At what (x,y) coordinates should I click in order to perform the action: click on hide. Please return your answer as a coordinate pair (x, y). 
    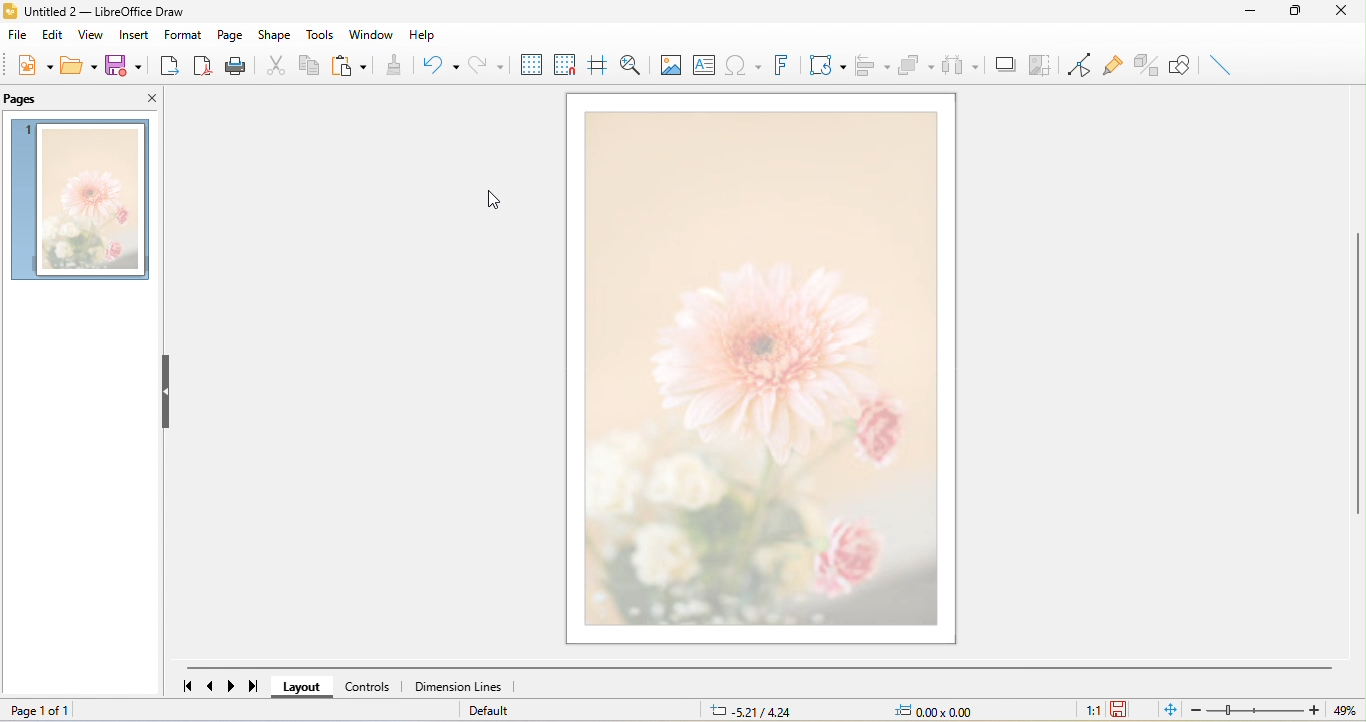
    Looking at the image, I should click on (169, 394).